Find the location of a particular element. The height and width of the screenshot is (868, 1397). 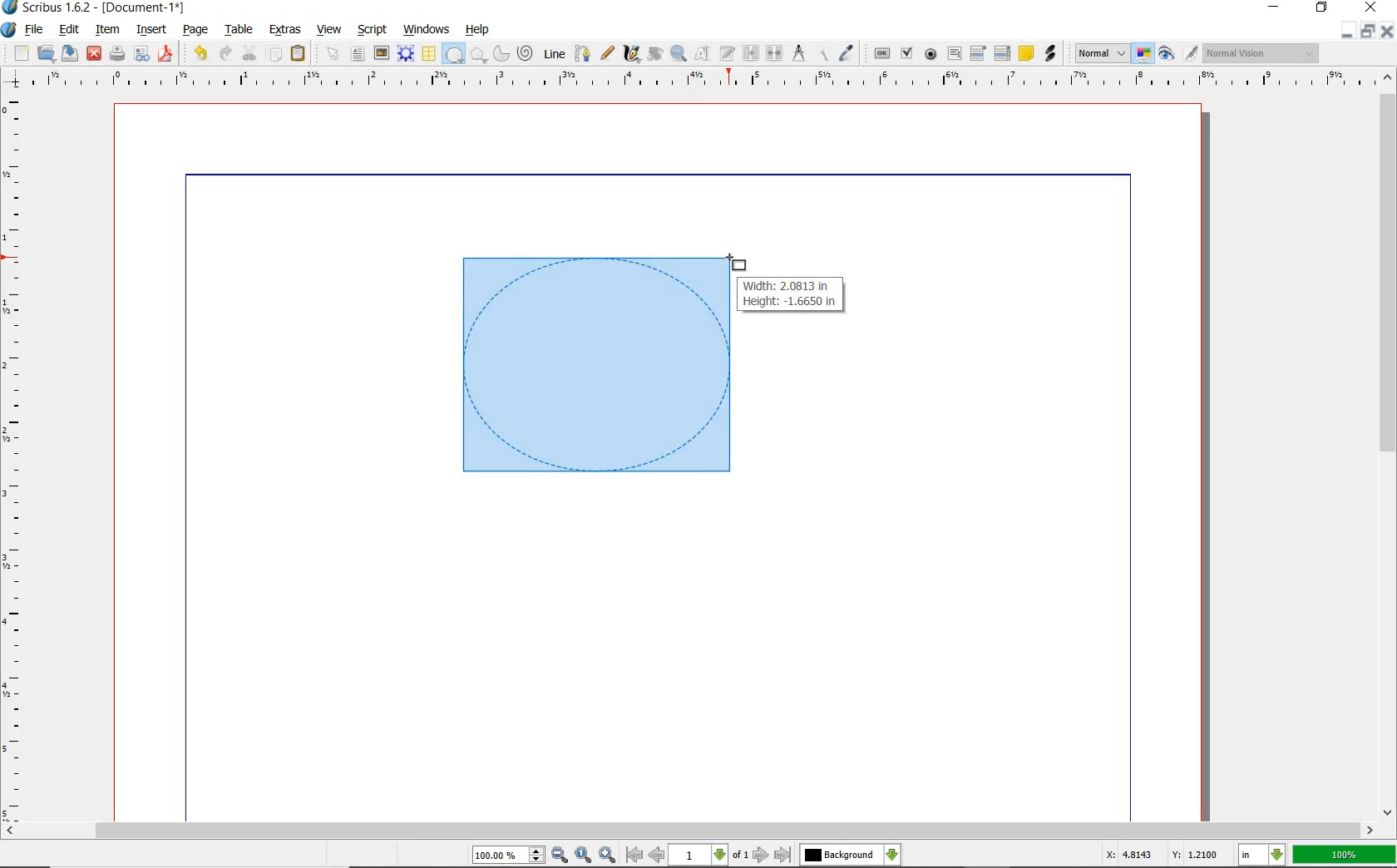

ROTATE ITEM is located at coordinates (654, 52).